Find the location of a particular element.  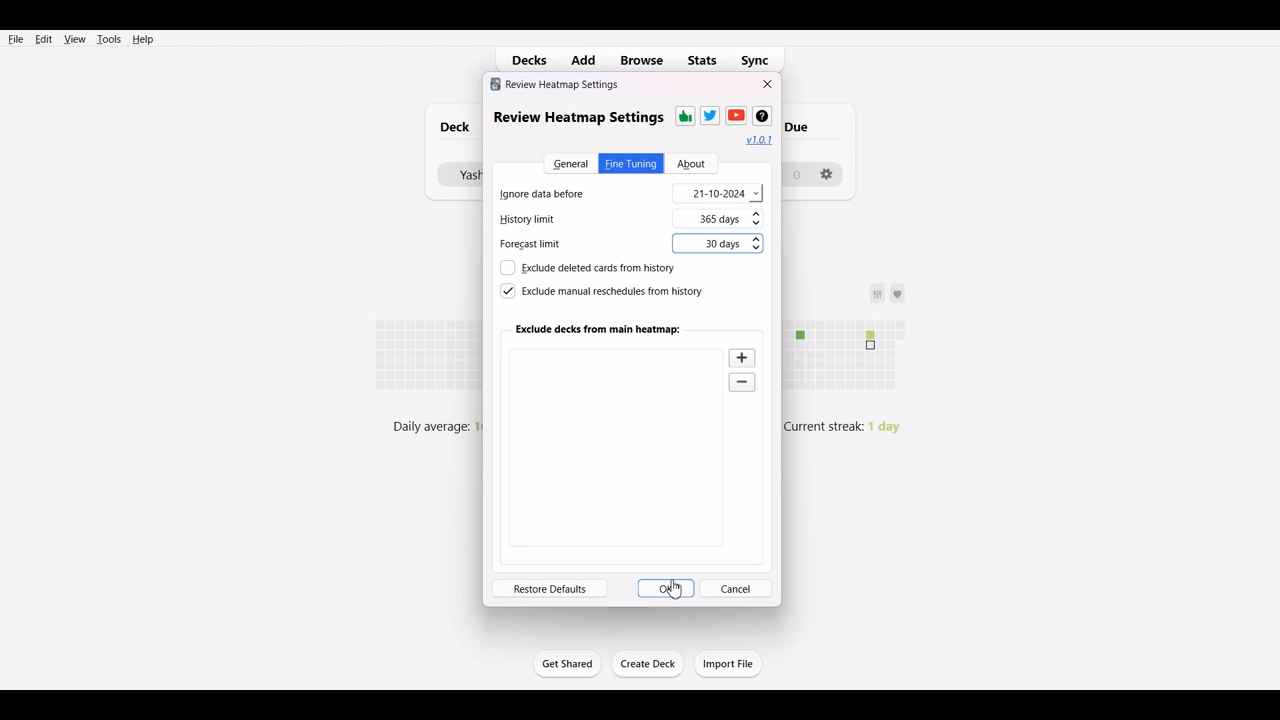

settings is located at coordinates (828, 169).